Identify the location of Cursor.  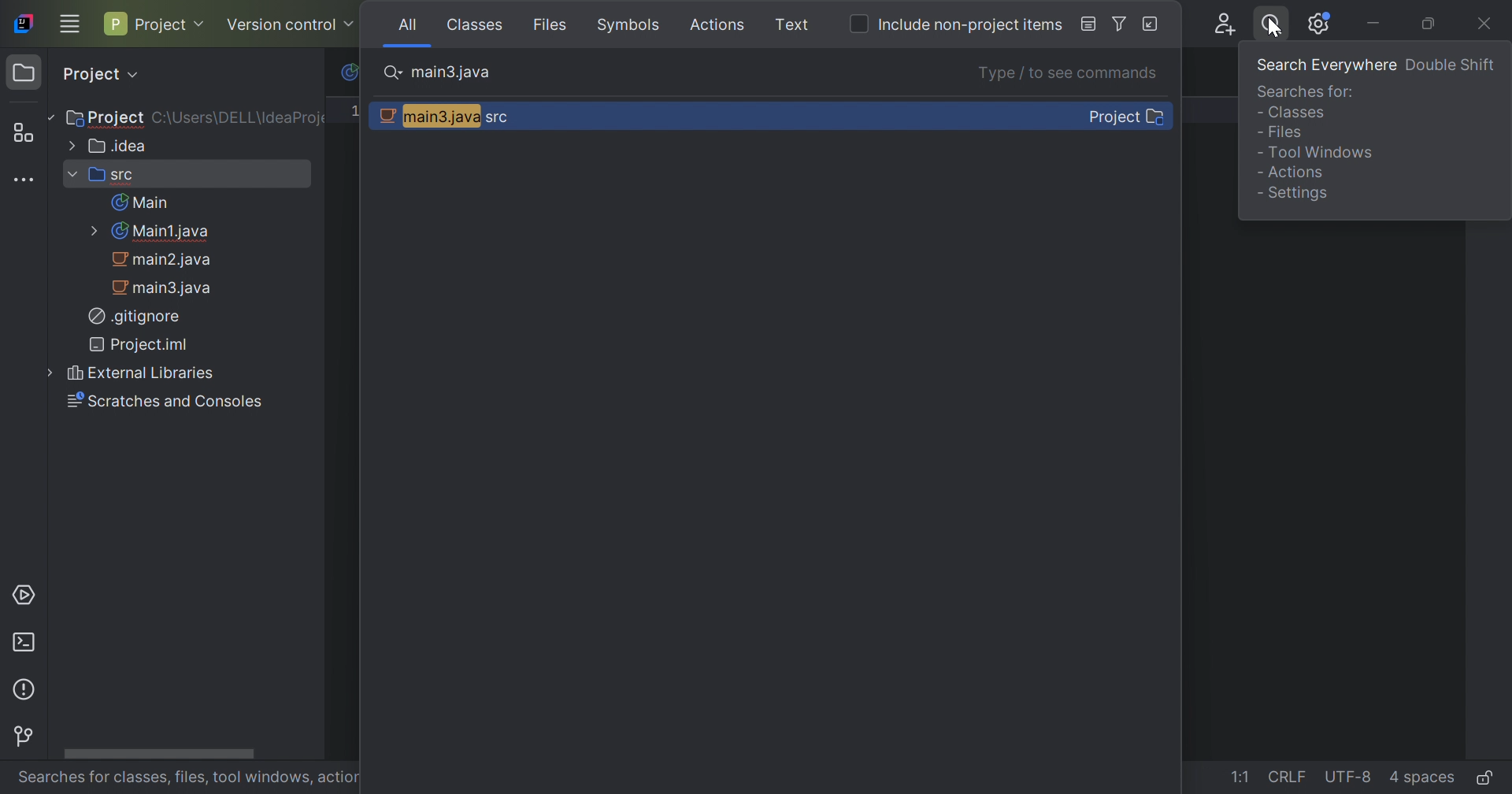
(1275, 31).